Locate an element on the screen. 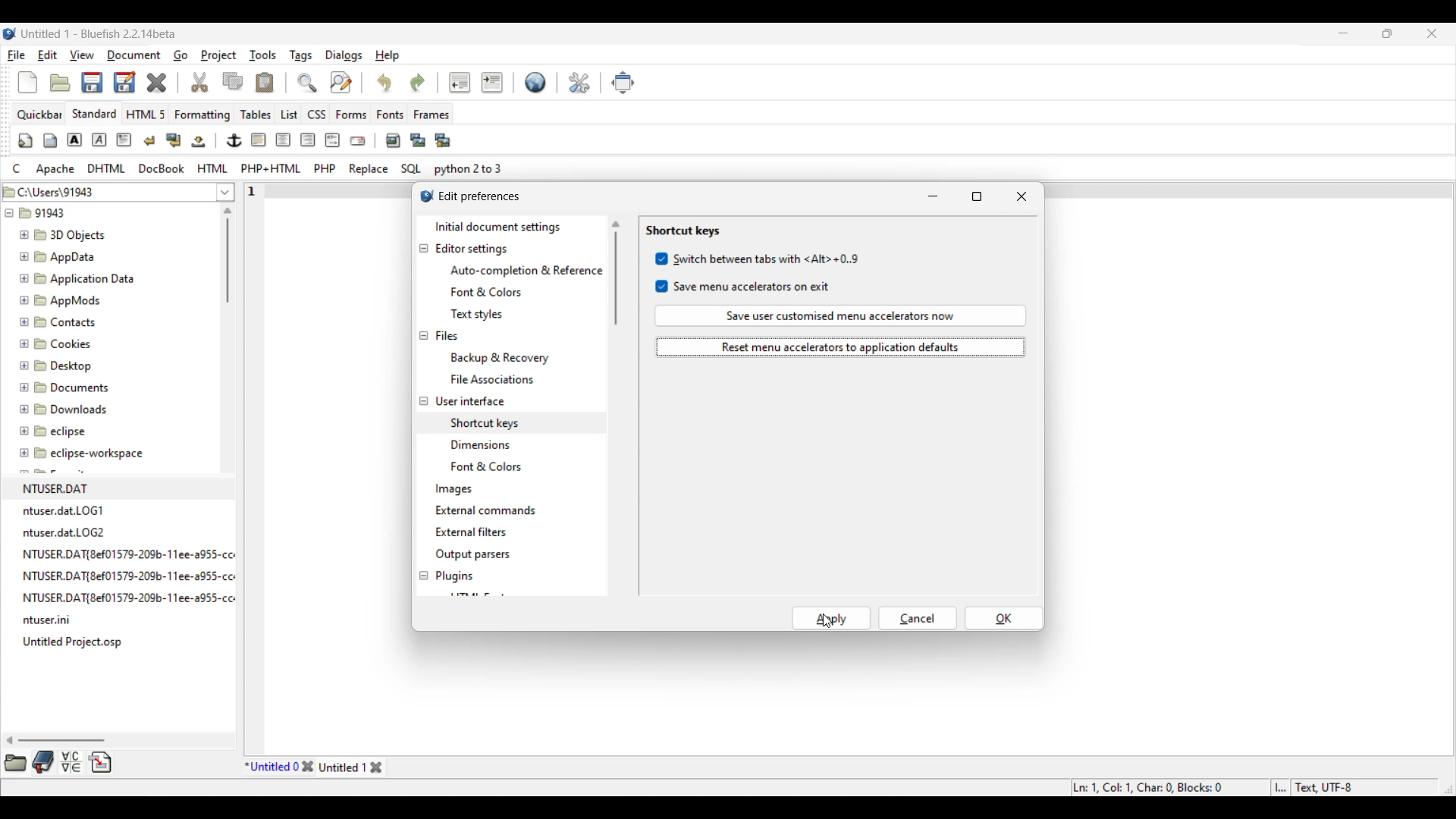 Image resolution: width=1456 pixels, height=819 pixels. untitled project.osp is located at coordinates (76, 642).